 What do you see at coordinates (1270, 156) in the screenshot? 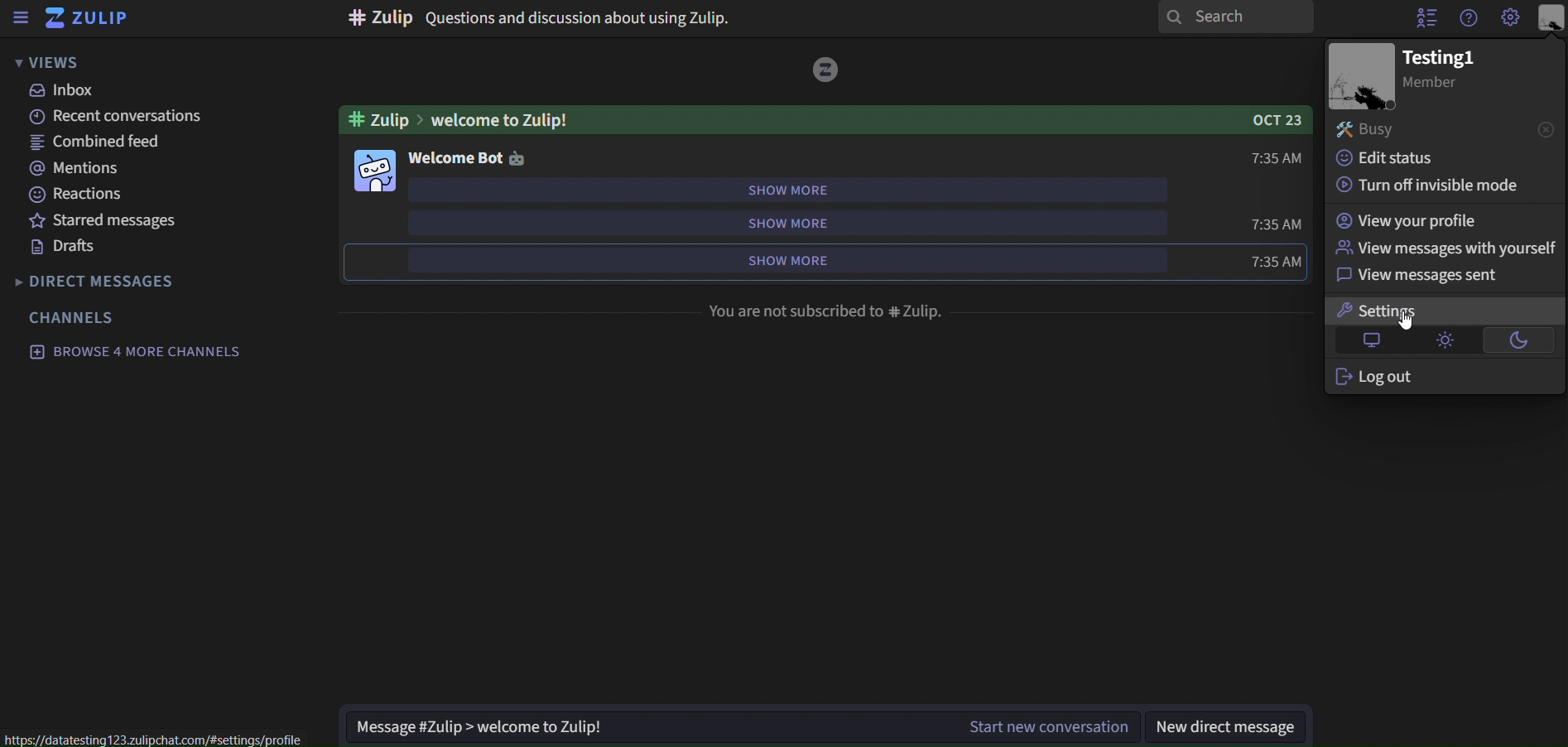
I see `7:35 AM` at bounding box center [1270, 156].